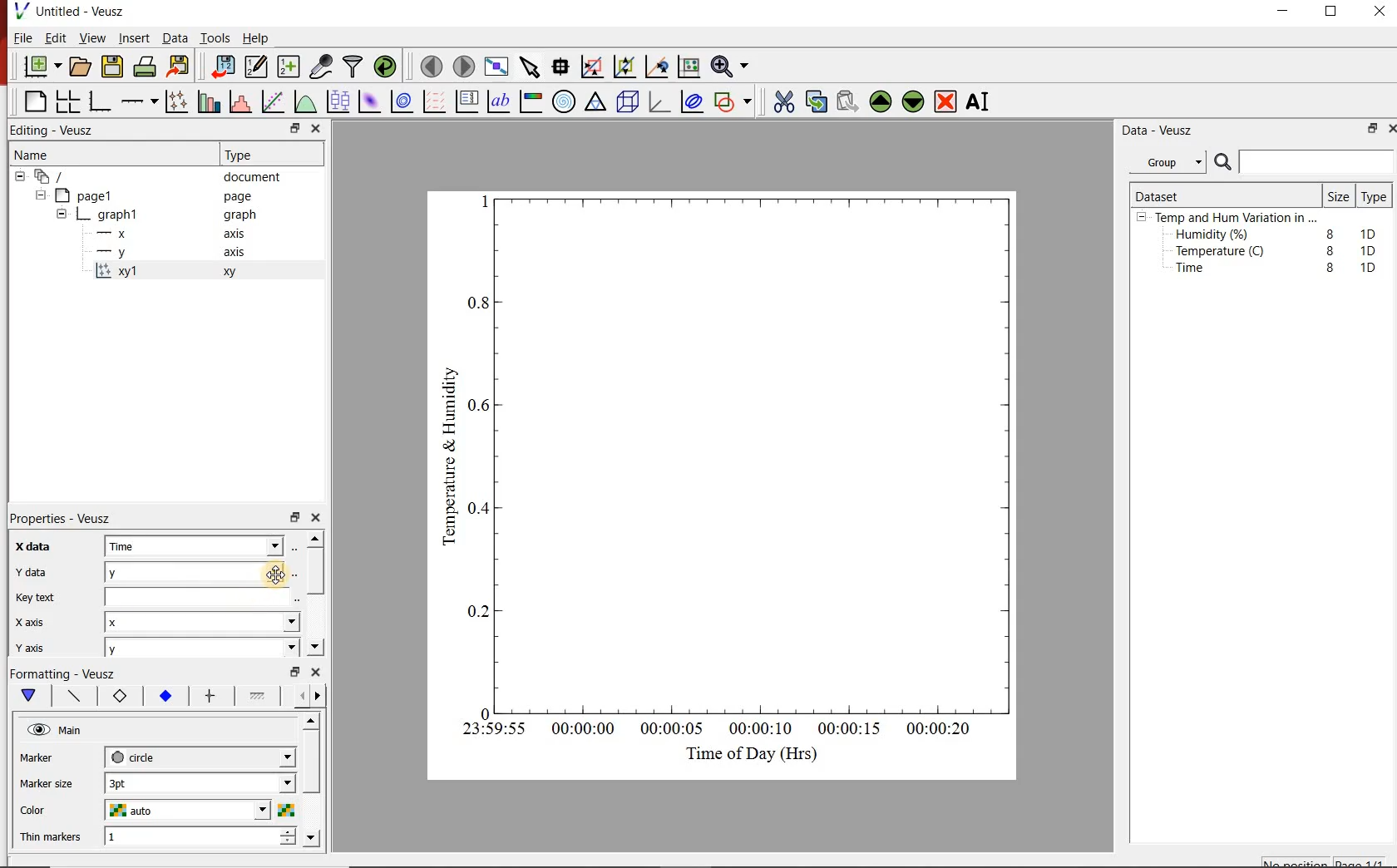 Image resolution: width=1397 pixels, height=868 pixels. Describe the element at coordinates (43, 197) in the screenshot. I see `hide sub menu` at that location.